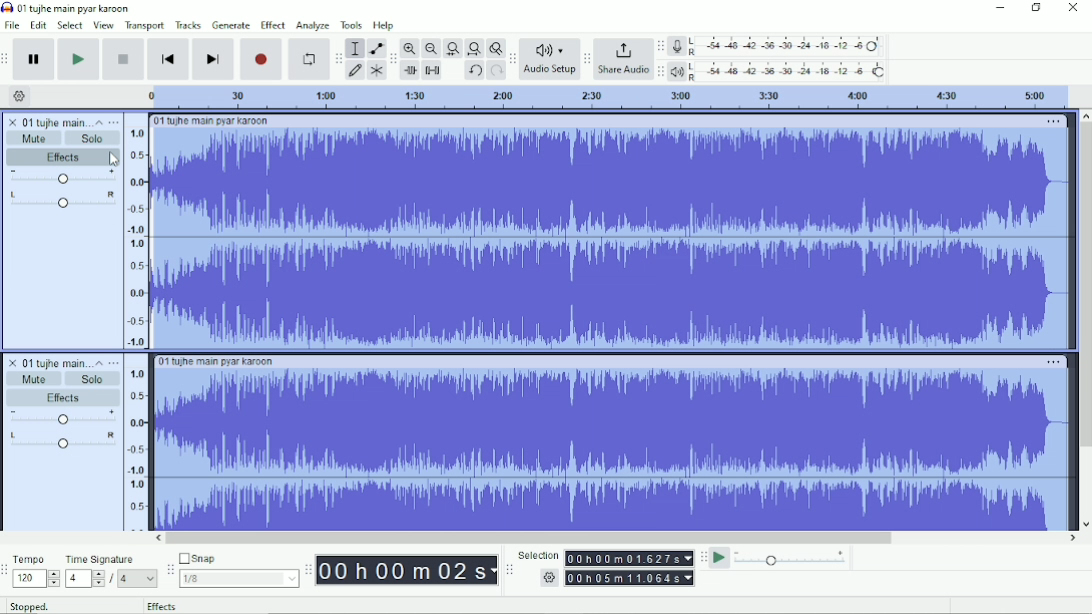 Image resolution: width=1092 pixels, height=614 pixels. I want to click on Audacity time toolbar, so click(308, 569).